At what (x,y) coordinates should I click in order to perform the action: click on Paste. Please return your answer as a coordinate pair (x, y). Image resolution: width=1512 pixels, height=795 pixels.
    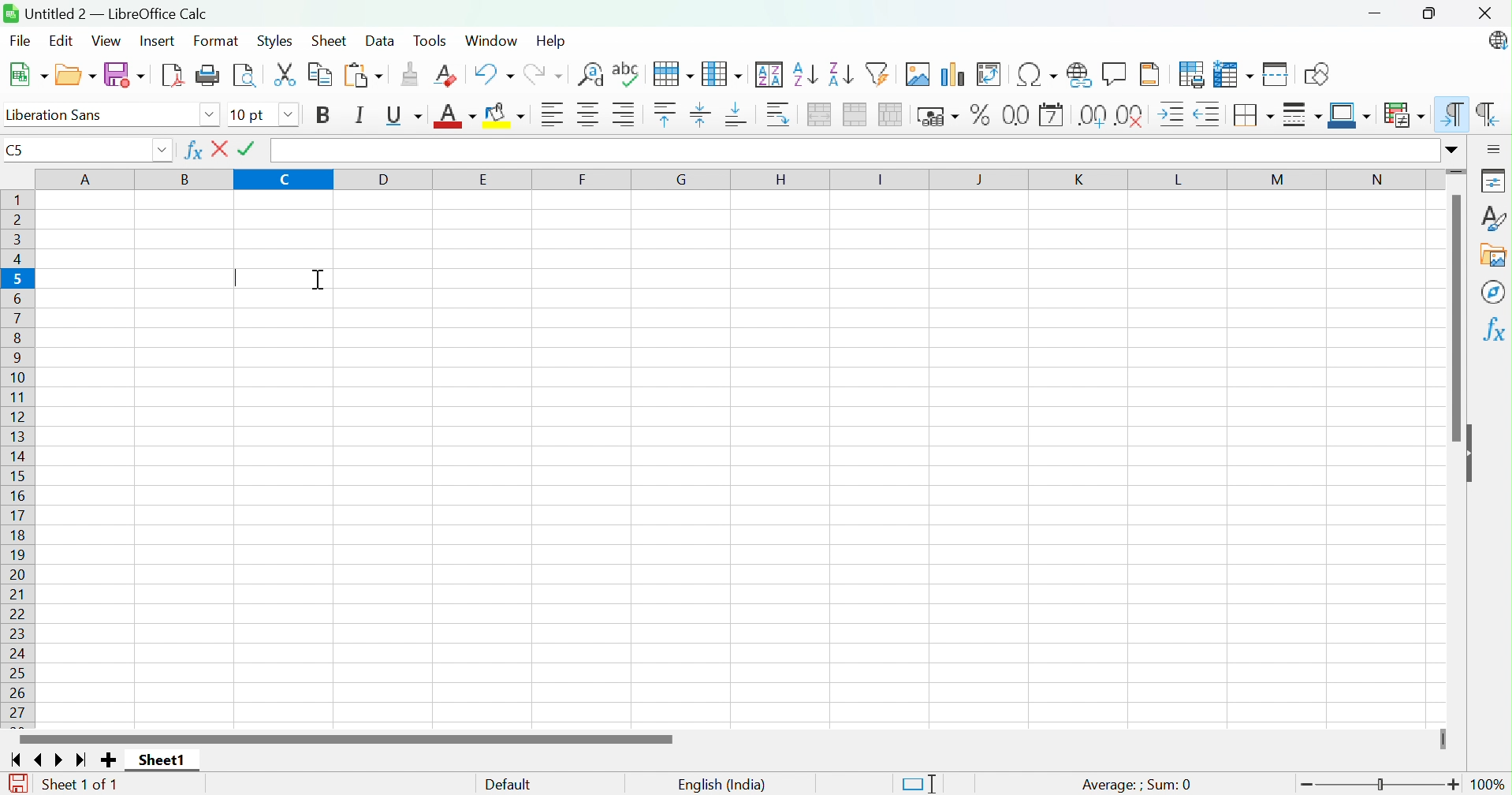
    Looking at the image, I should click on (361, 74).